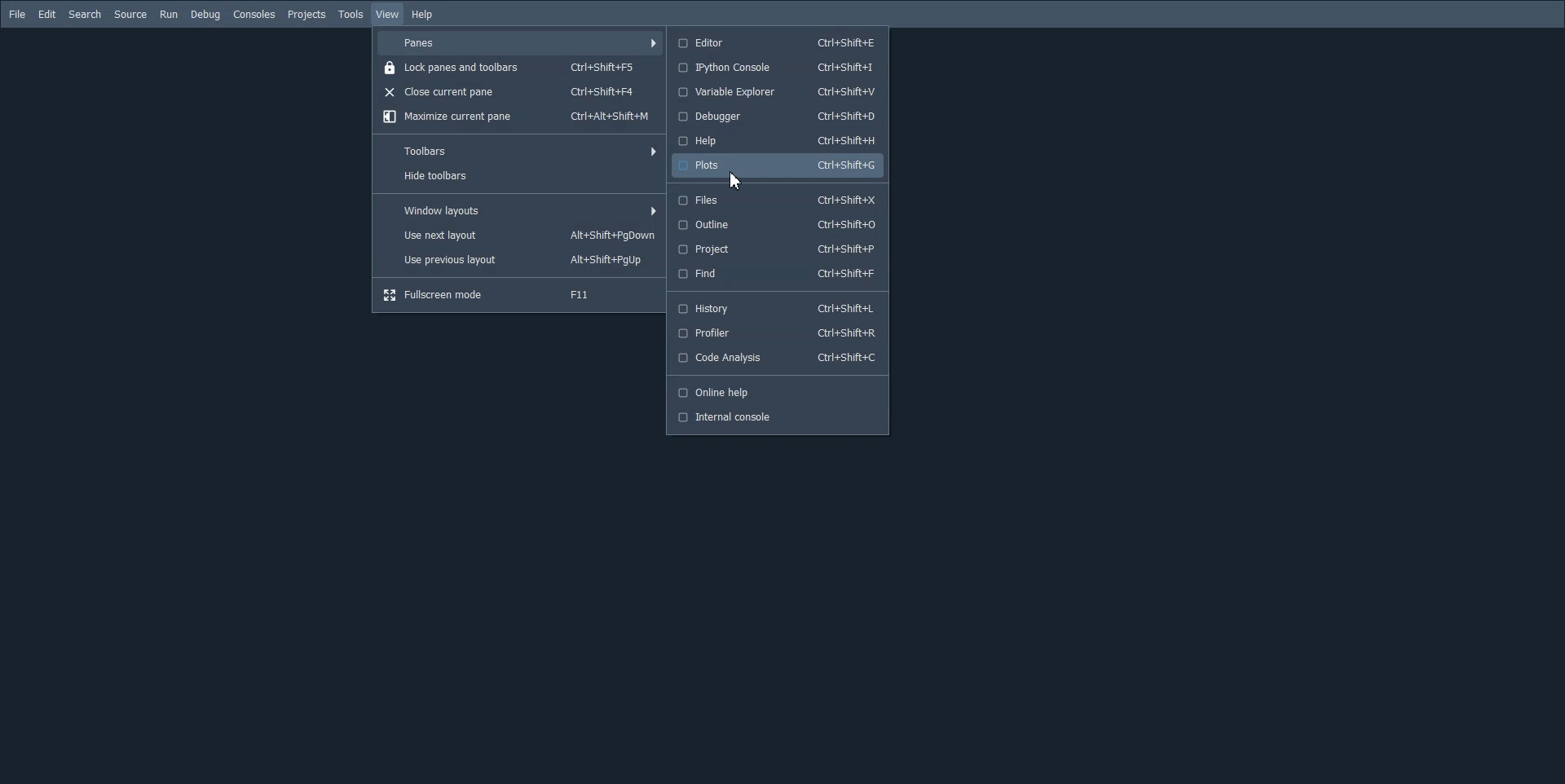  I want to click on Fullscreen mode, so click(519, 296).